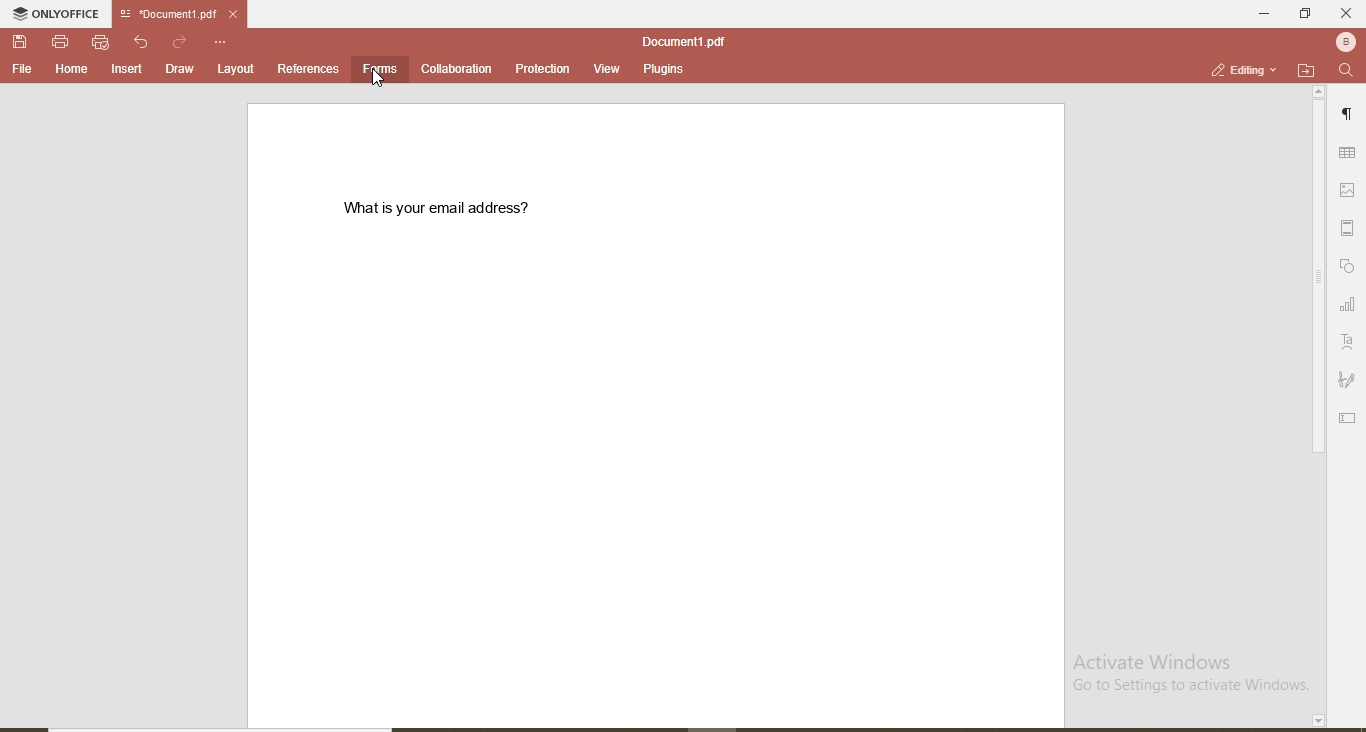  Describe the element at coordinates (1316, 721) in the screenshot. I see `page down` at that location.